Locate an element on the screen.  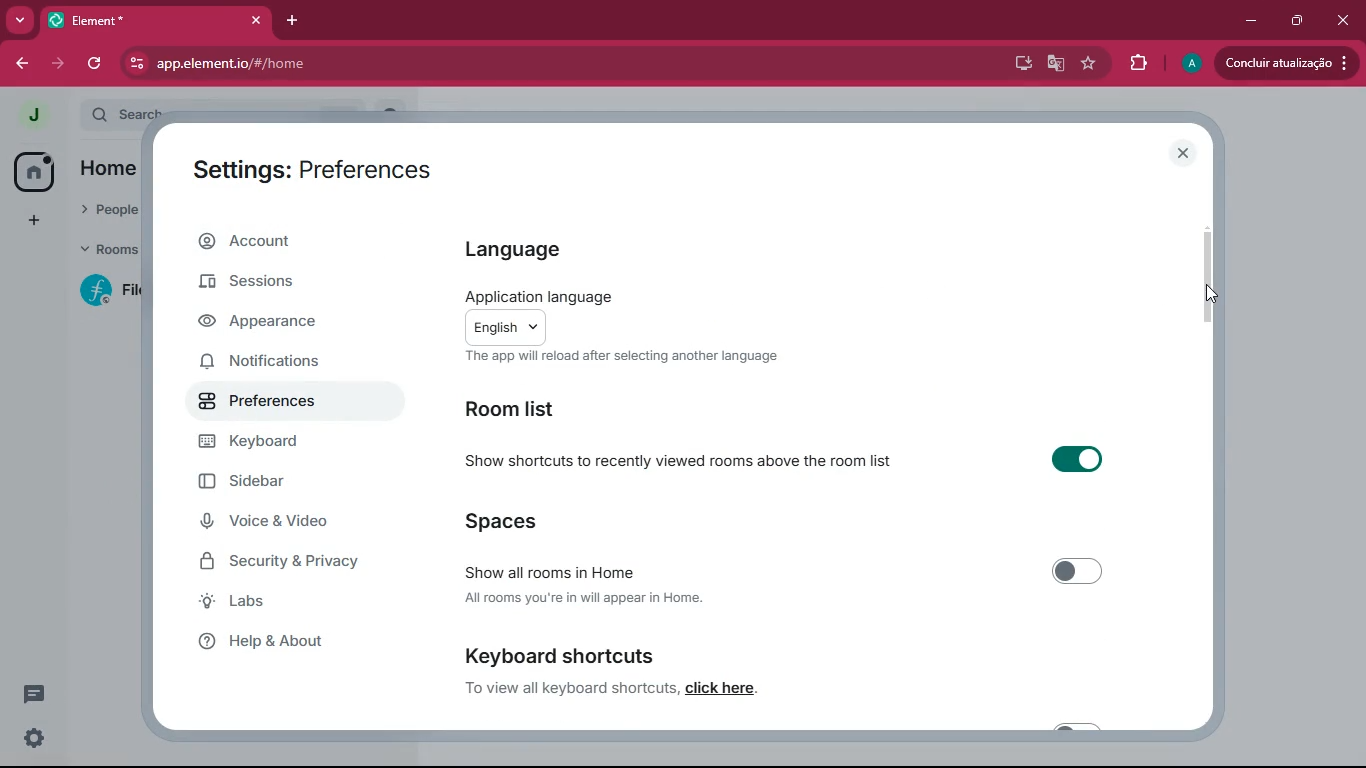
language is located at coordinates (519, 249).